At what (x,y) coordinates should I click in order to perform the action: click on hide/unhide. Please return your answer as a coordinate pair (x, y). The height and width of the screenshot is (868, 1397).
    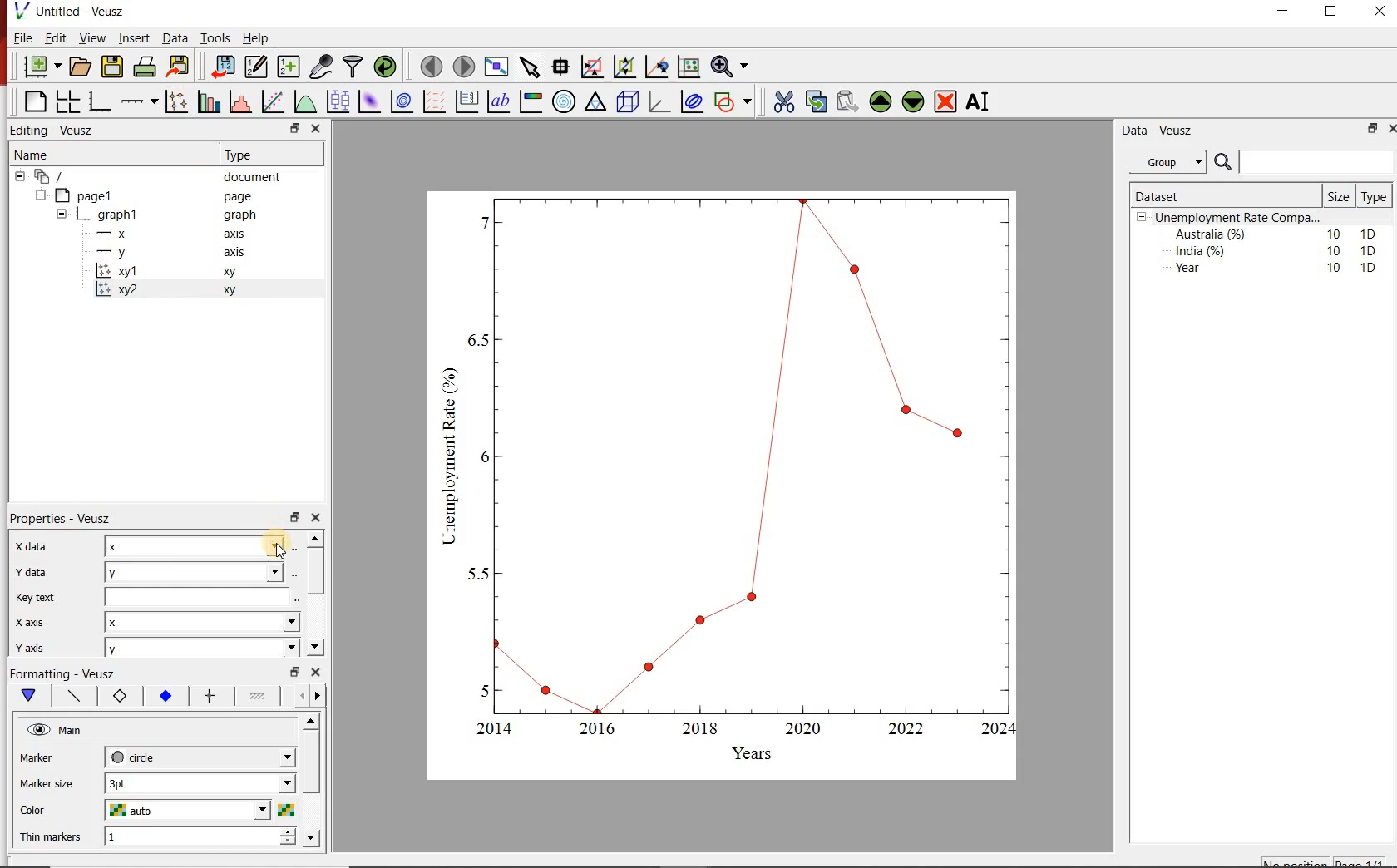
    Looking at the image, I should click on (38, 729).